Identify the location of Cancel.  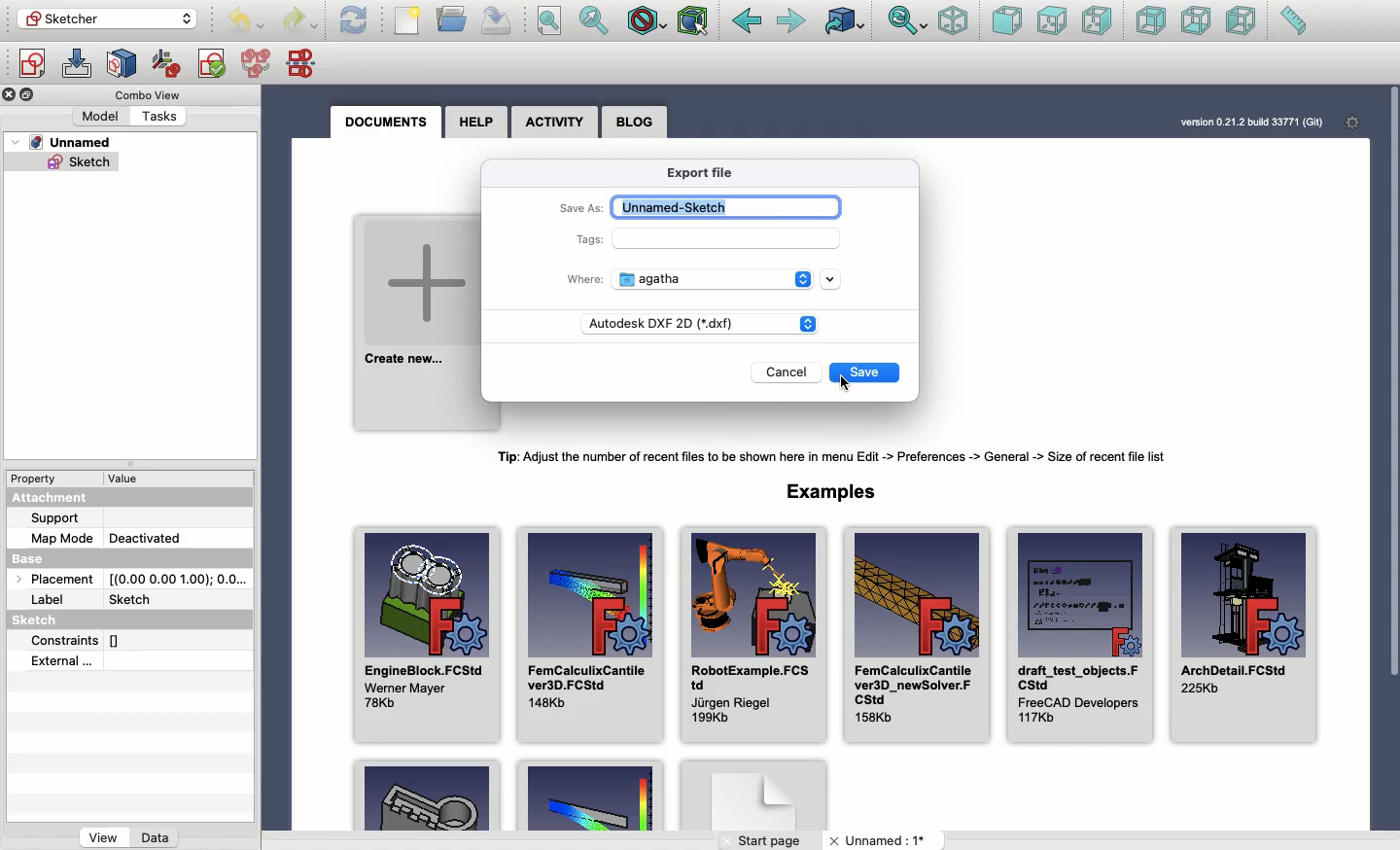
(791, 374).